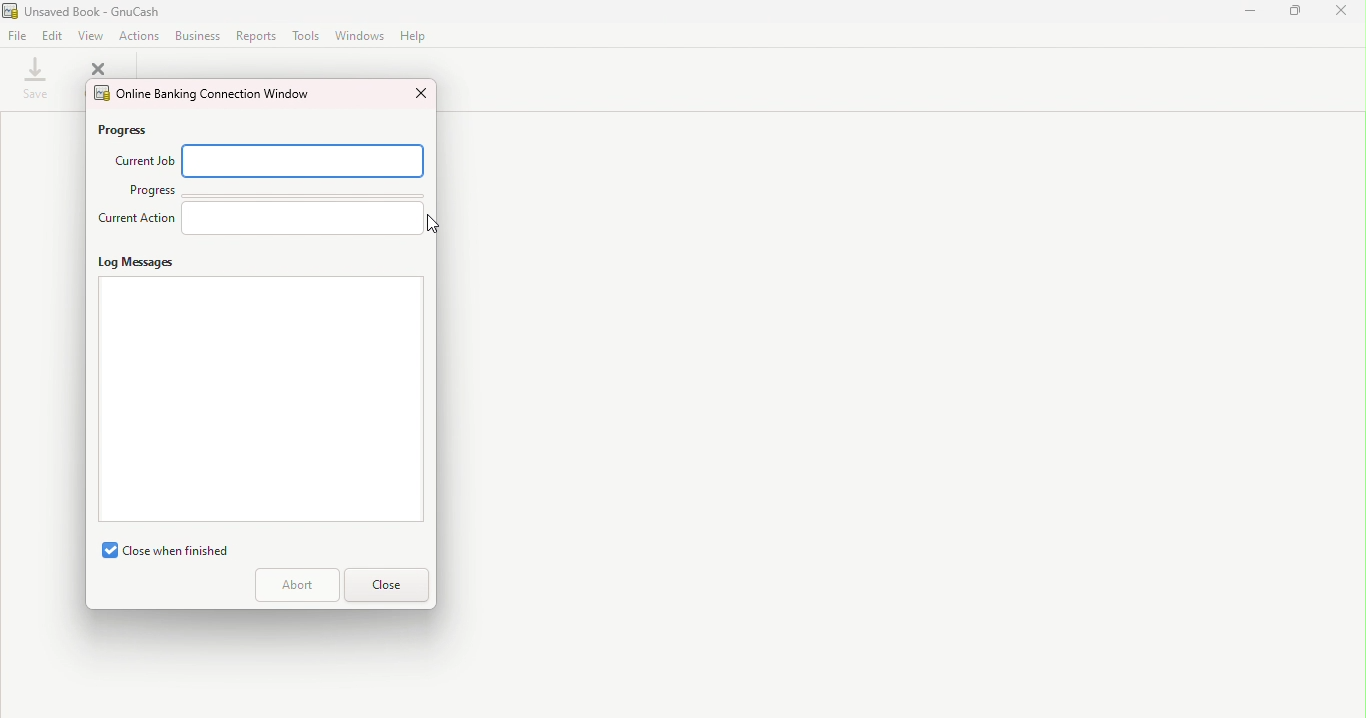 The image size is (1366, 718). What do you see at coordinates (143, 35) in the screenshot?
I see `Action` at bounding box center [143, 35].